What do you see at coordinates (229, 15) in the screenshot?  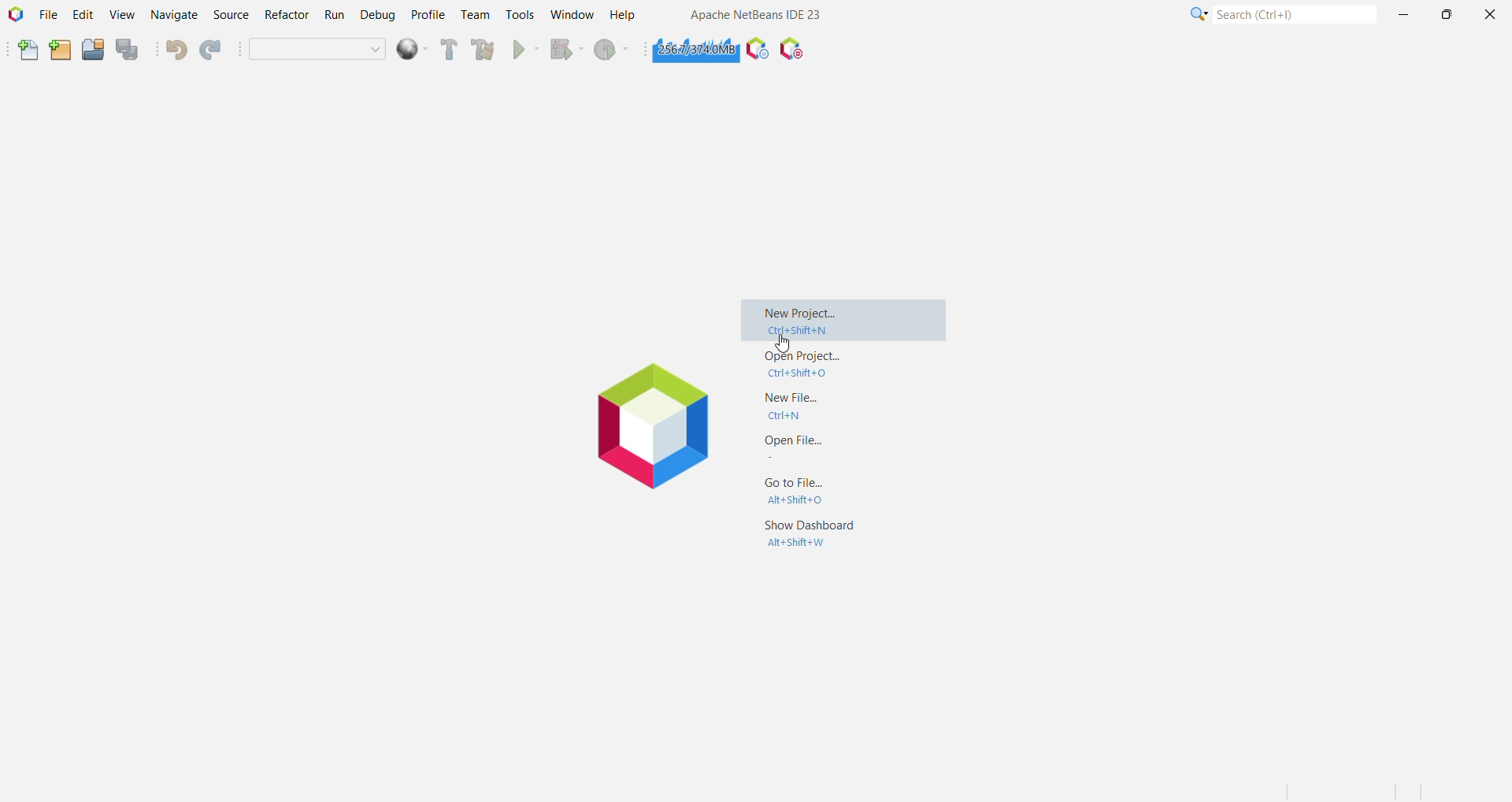 I see `Source` at bounding box center [229, 15].